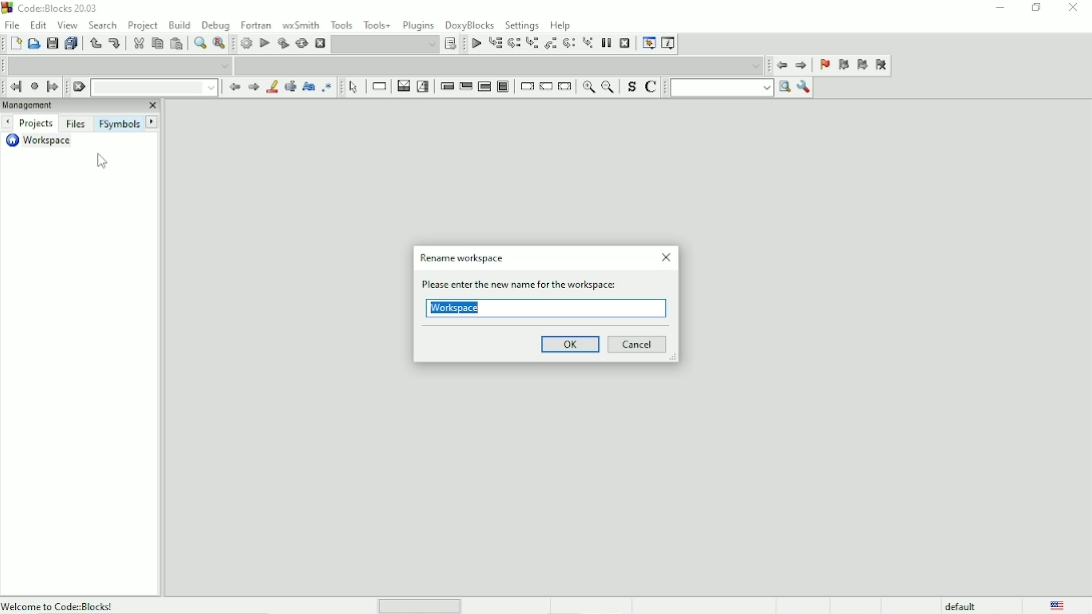  What do you see at coordinates (446, 86) in the screenshot?
I see `Entry condition loop` at bounding box center [446, 86].